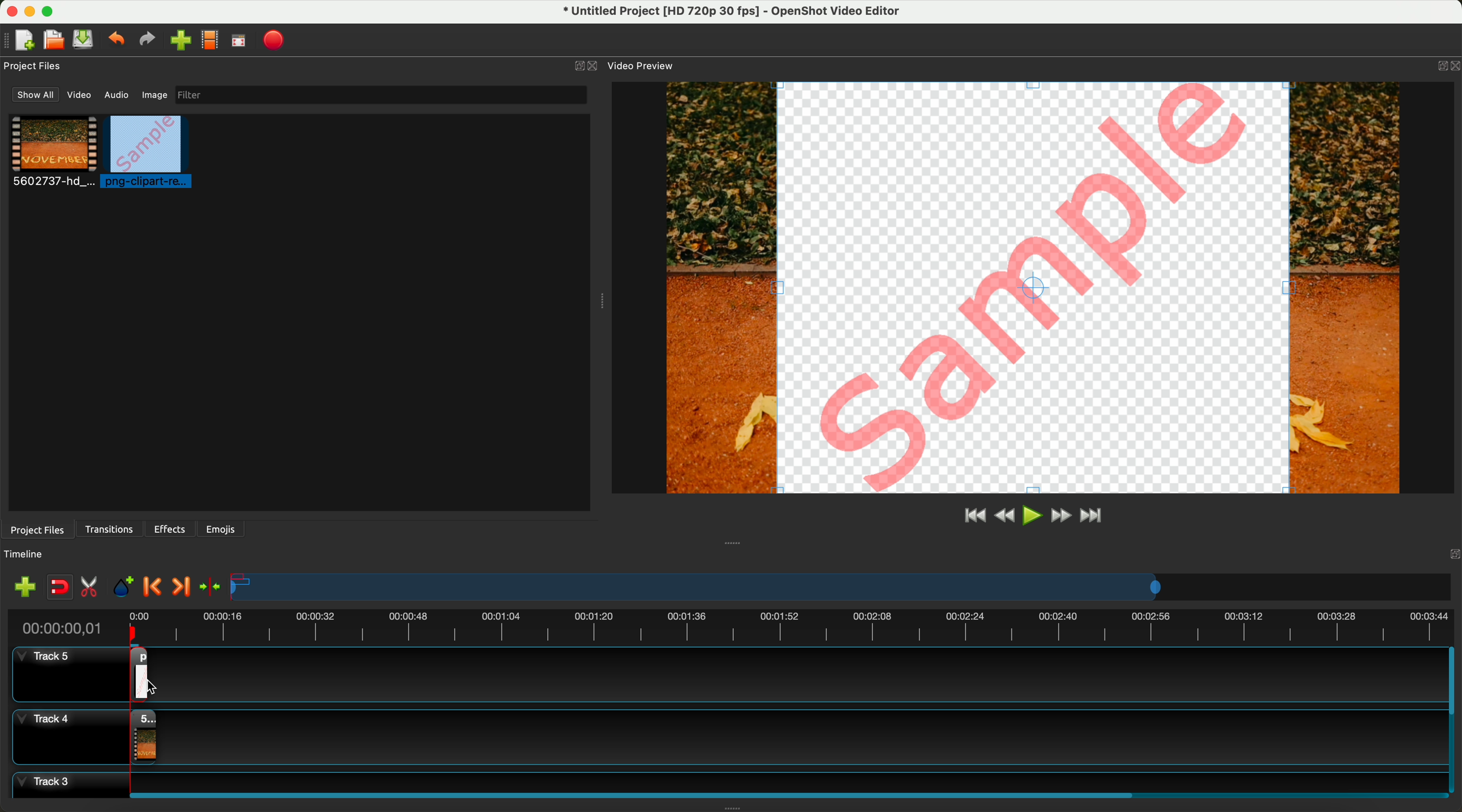 This screenshot has width=1462, height=812. Describe the element at coordinates (213, 42) in the screenshot. I see `choose profile` at that location.